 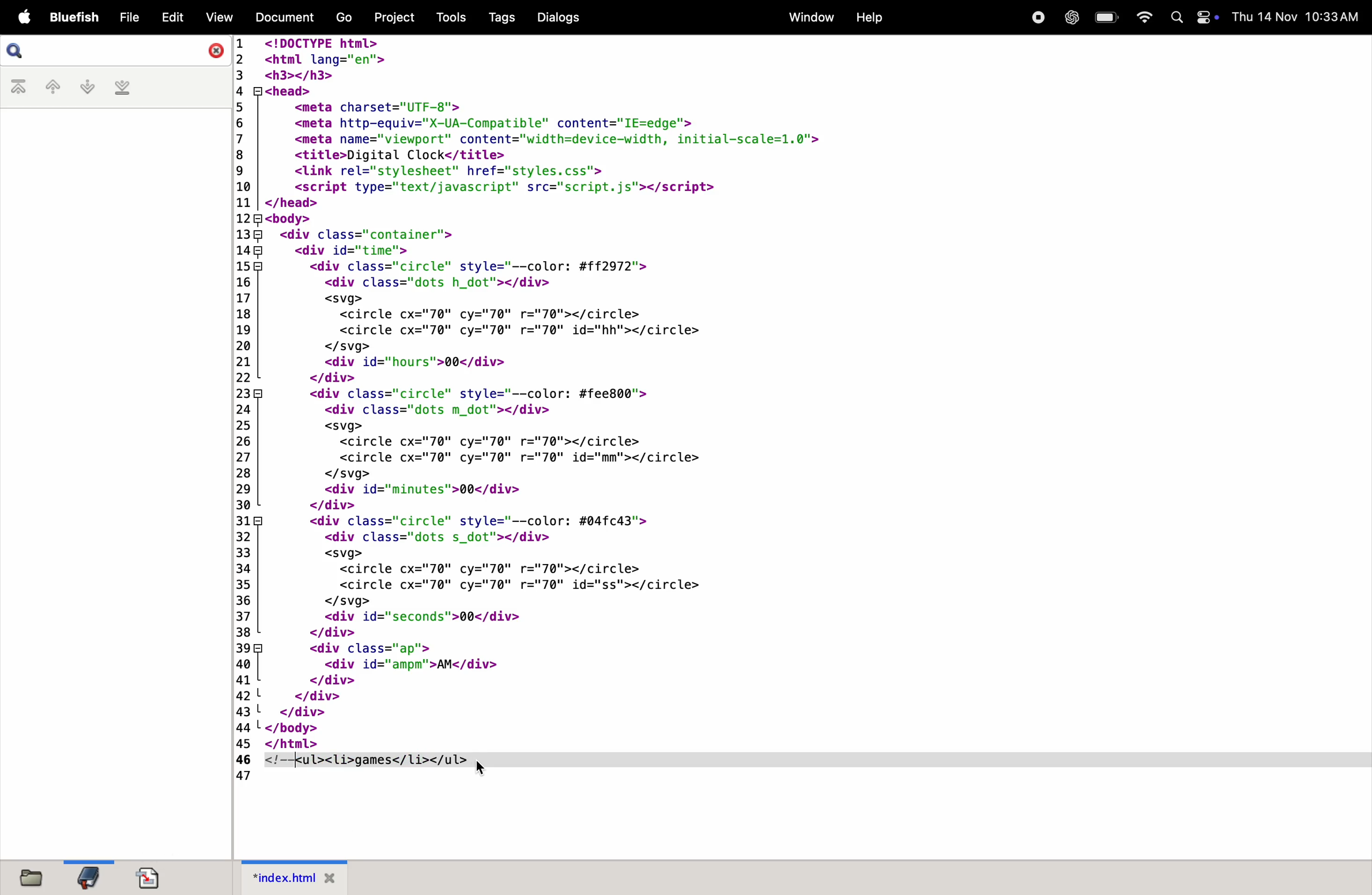 What do you see at coordinates (123, 89) in the screenshot?
I see `last bookmark` at bounding box center [123, 89].